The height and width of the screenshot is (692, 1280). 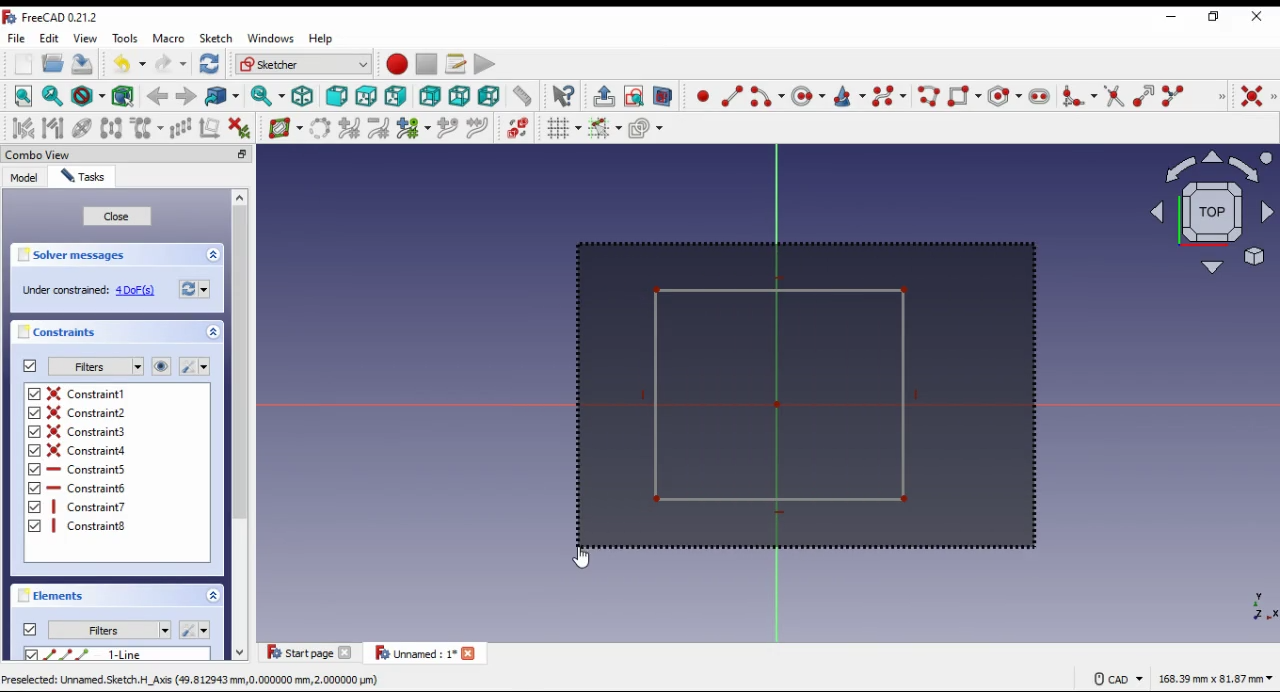 What do you see at coordinates (180, 129) in the screenshot?
I see `rectangular array` at bounding box center [180, 129].